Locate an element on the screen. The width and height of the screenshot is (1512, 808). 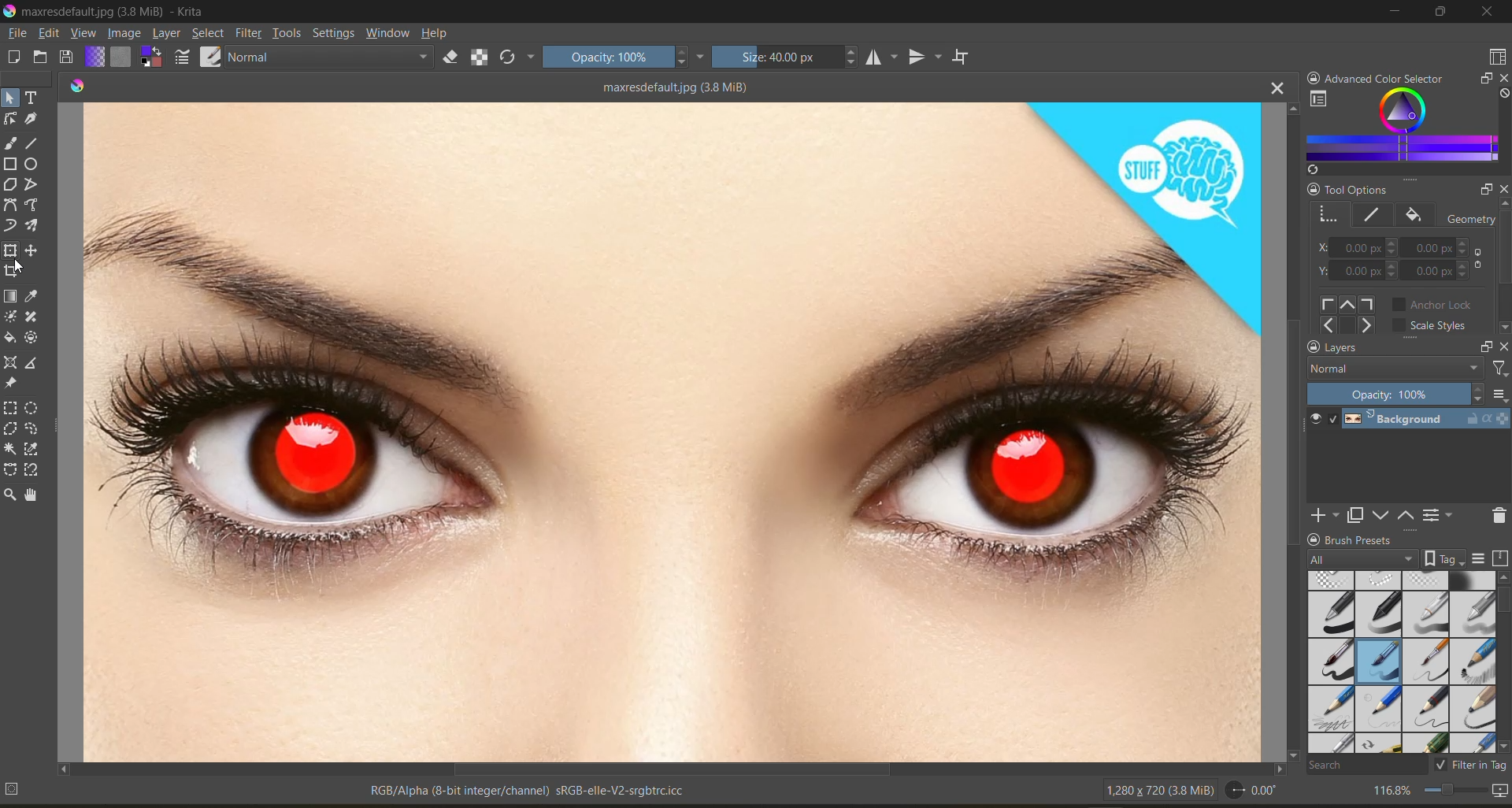
lock docker is located at coordinates (1312, 347).